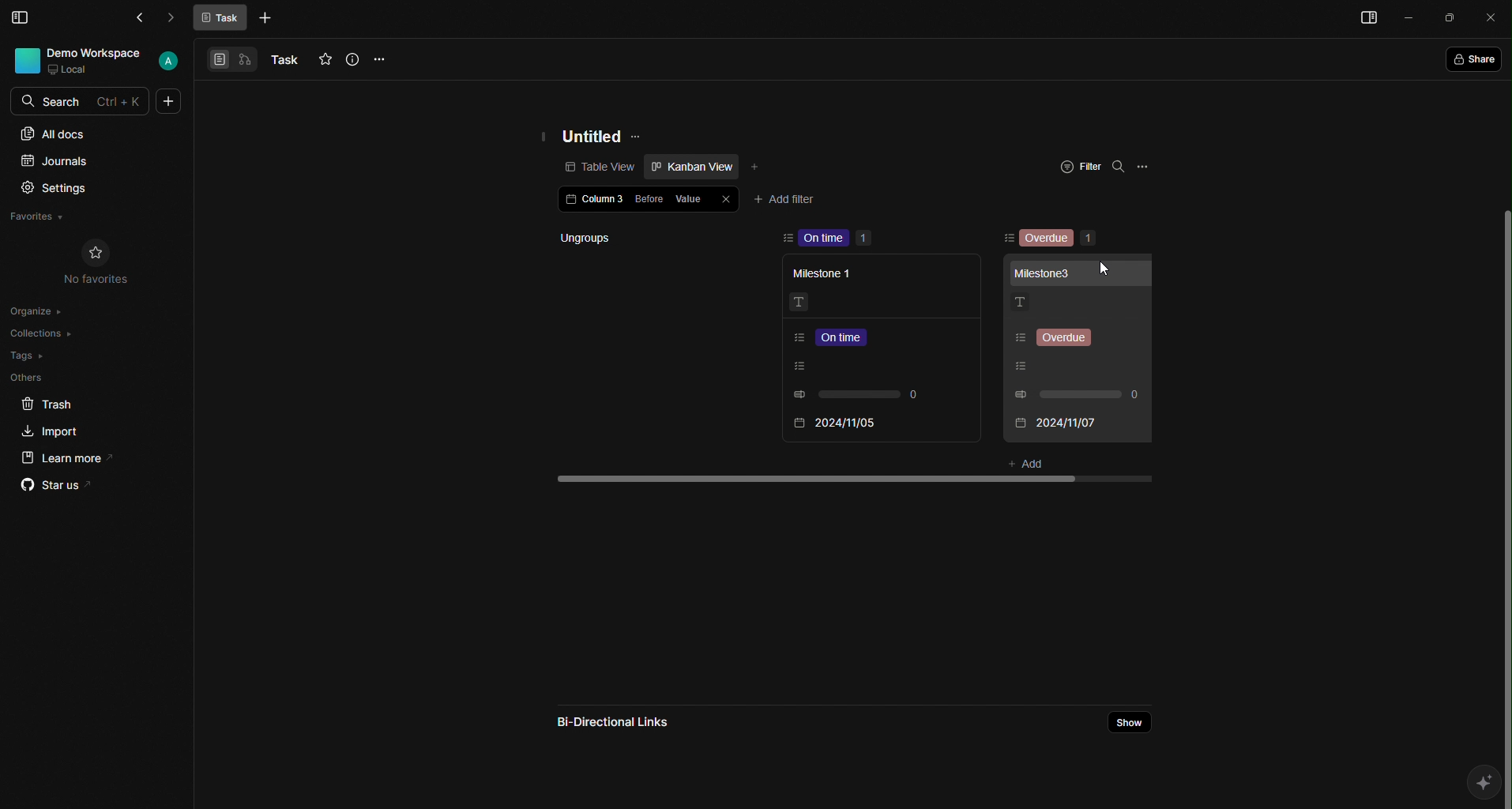  I want to click on 0, so click(859, 396).